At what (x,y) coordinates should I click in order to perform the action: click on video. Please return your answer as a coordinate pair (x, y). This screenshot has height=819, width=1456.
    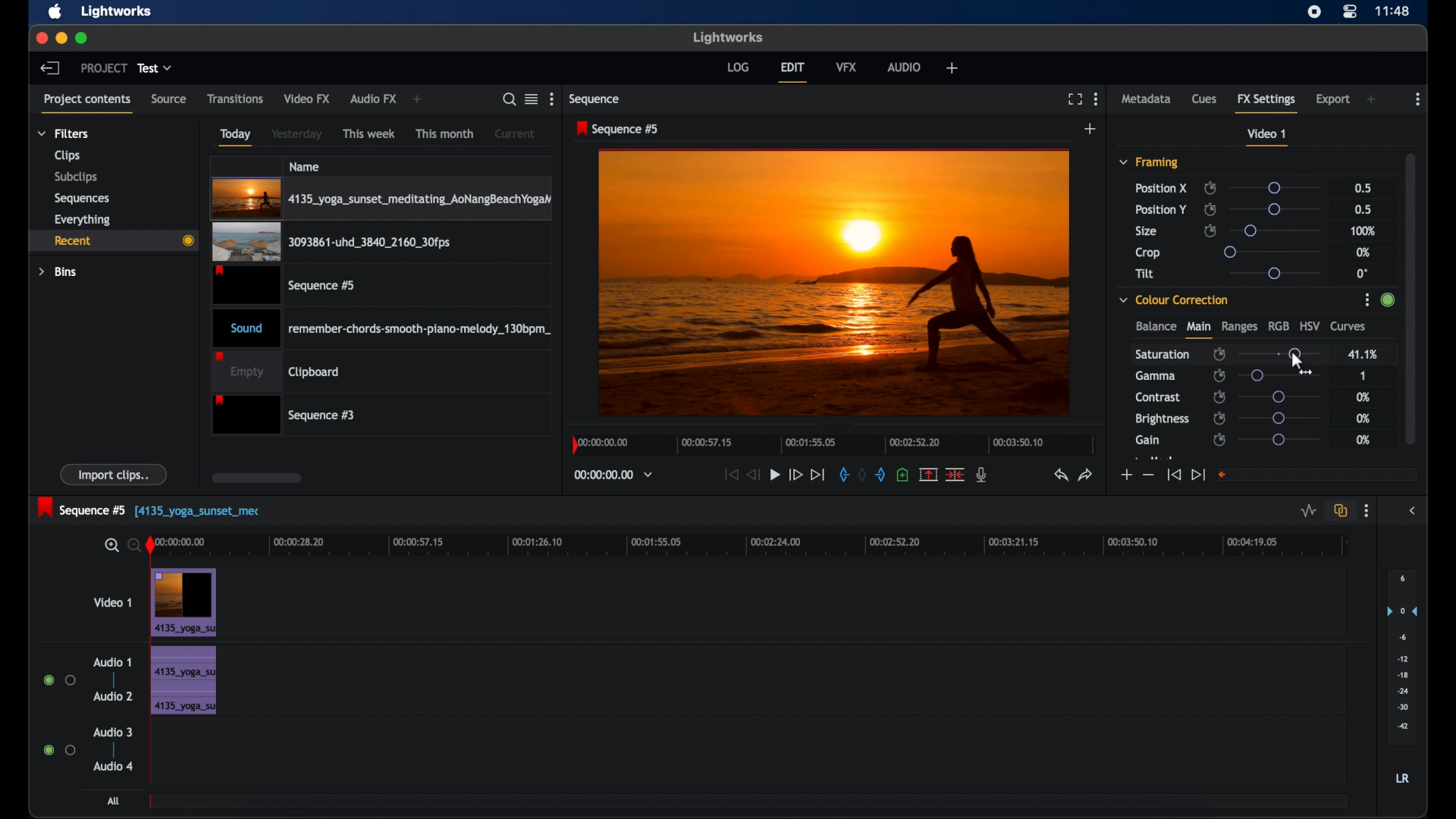
    Looking at the image, I should click on (184, 602).